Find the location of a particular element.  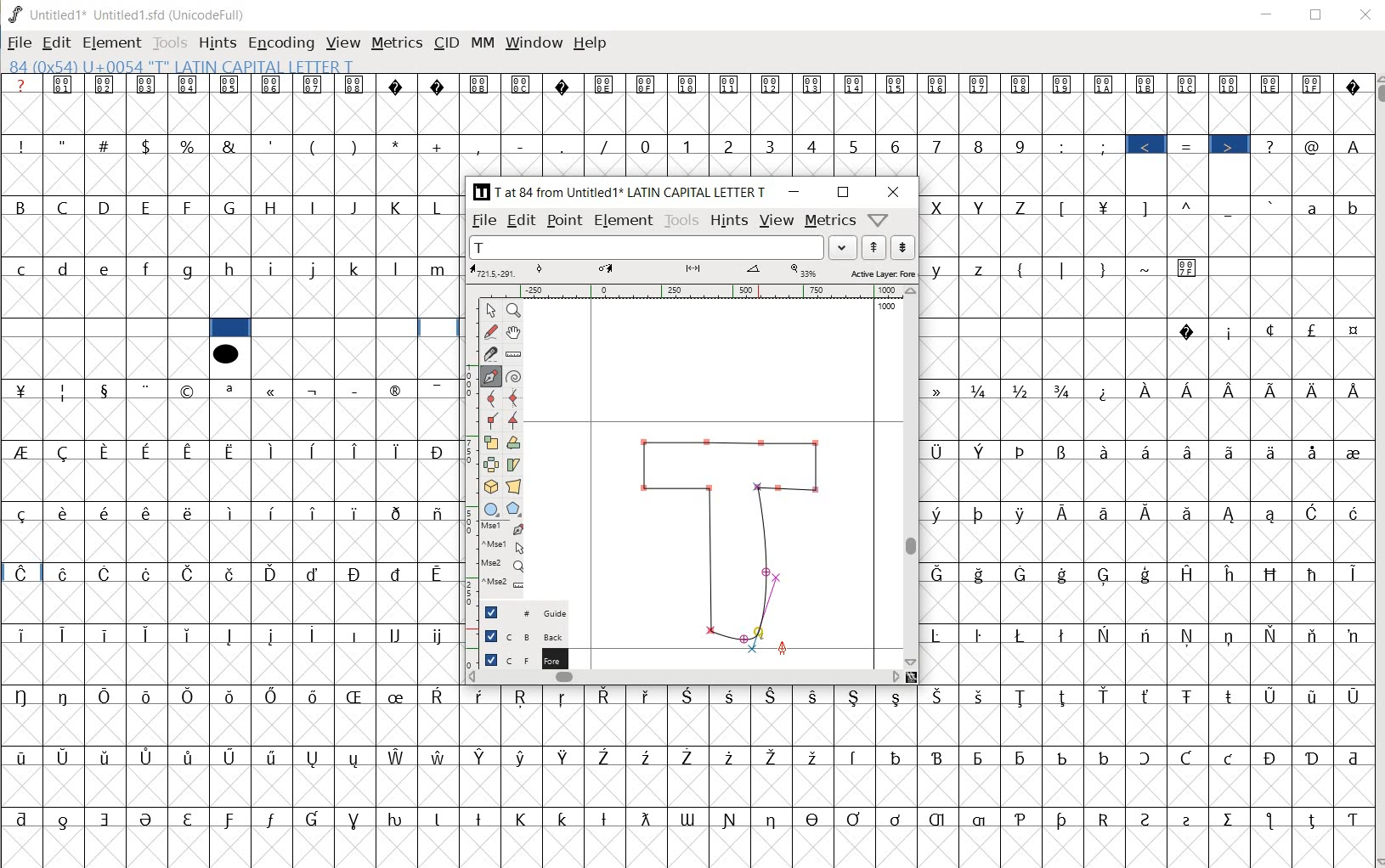

tools is located at coordinates (681, 220).